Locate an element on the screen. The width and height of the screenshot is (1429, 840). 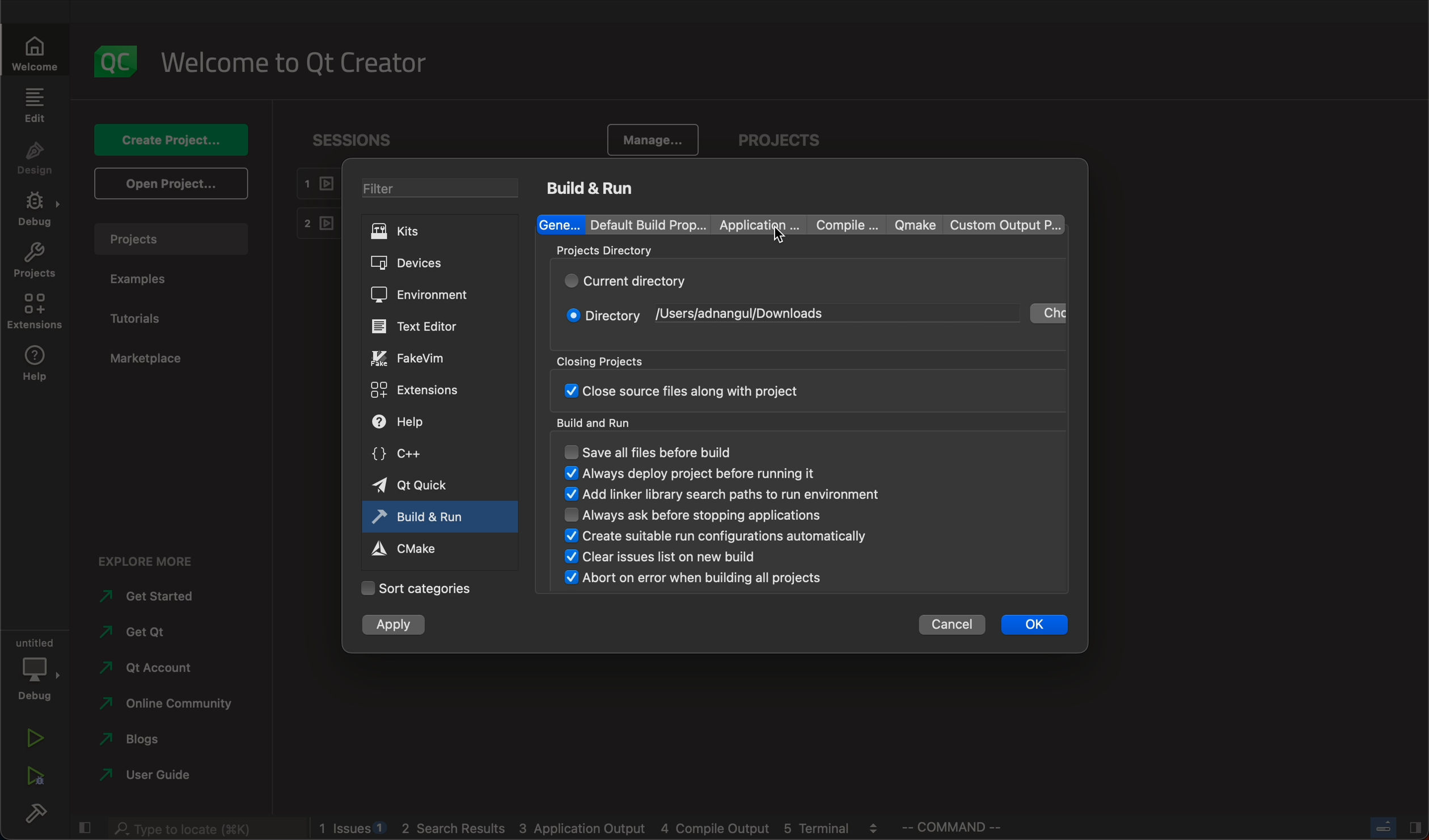
started is located at coordinates (154, 597).